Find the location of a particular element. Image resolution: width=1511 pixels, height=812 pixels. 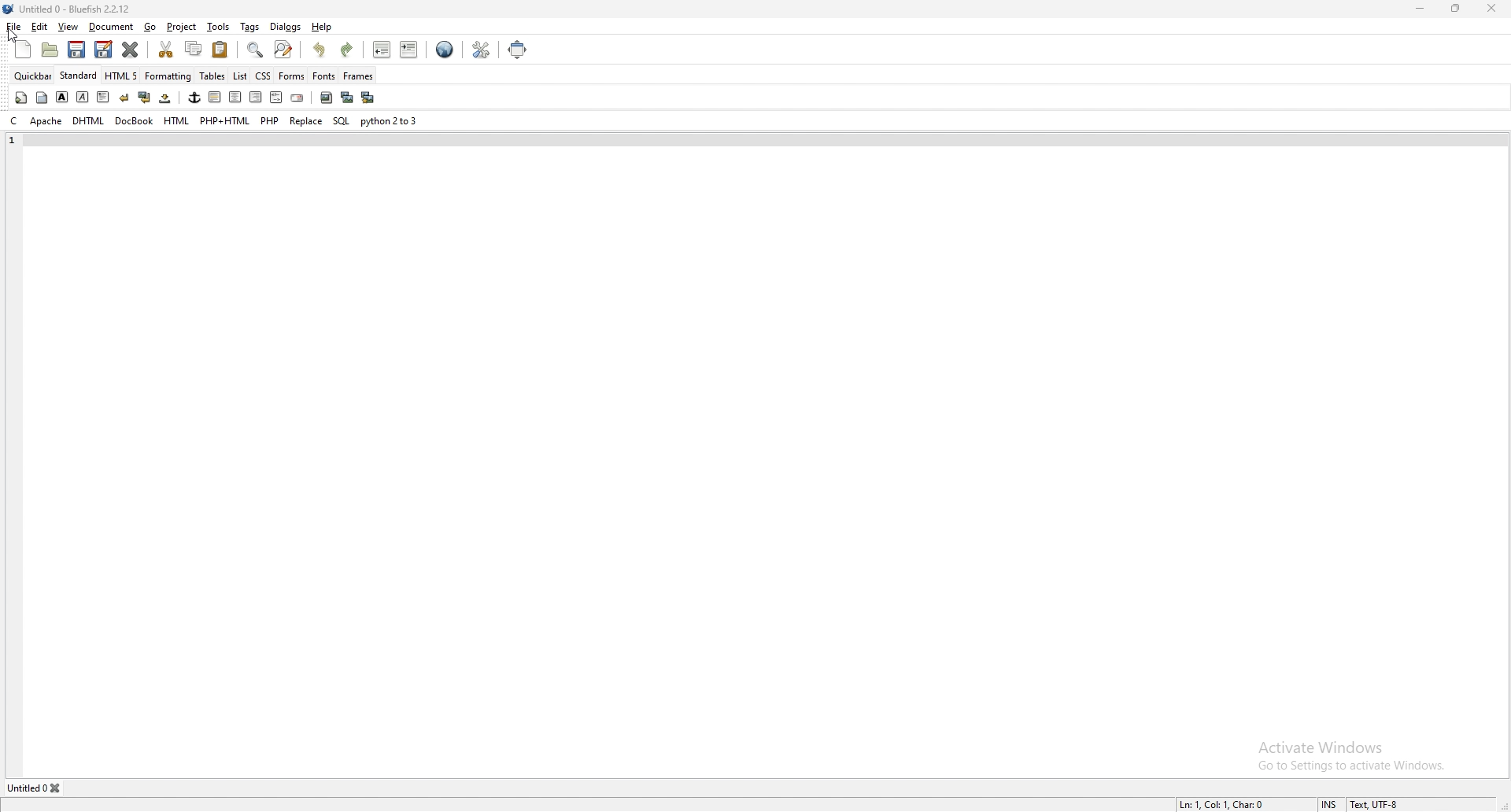

italic is located at coordinates (83, 98).